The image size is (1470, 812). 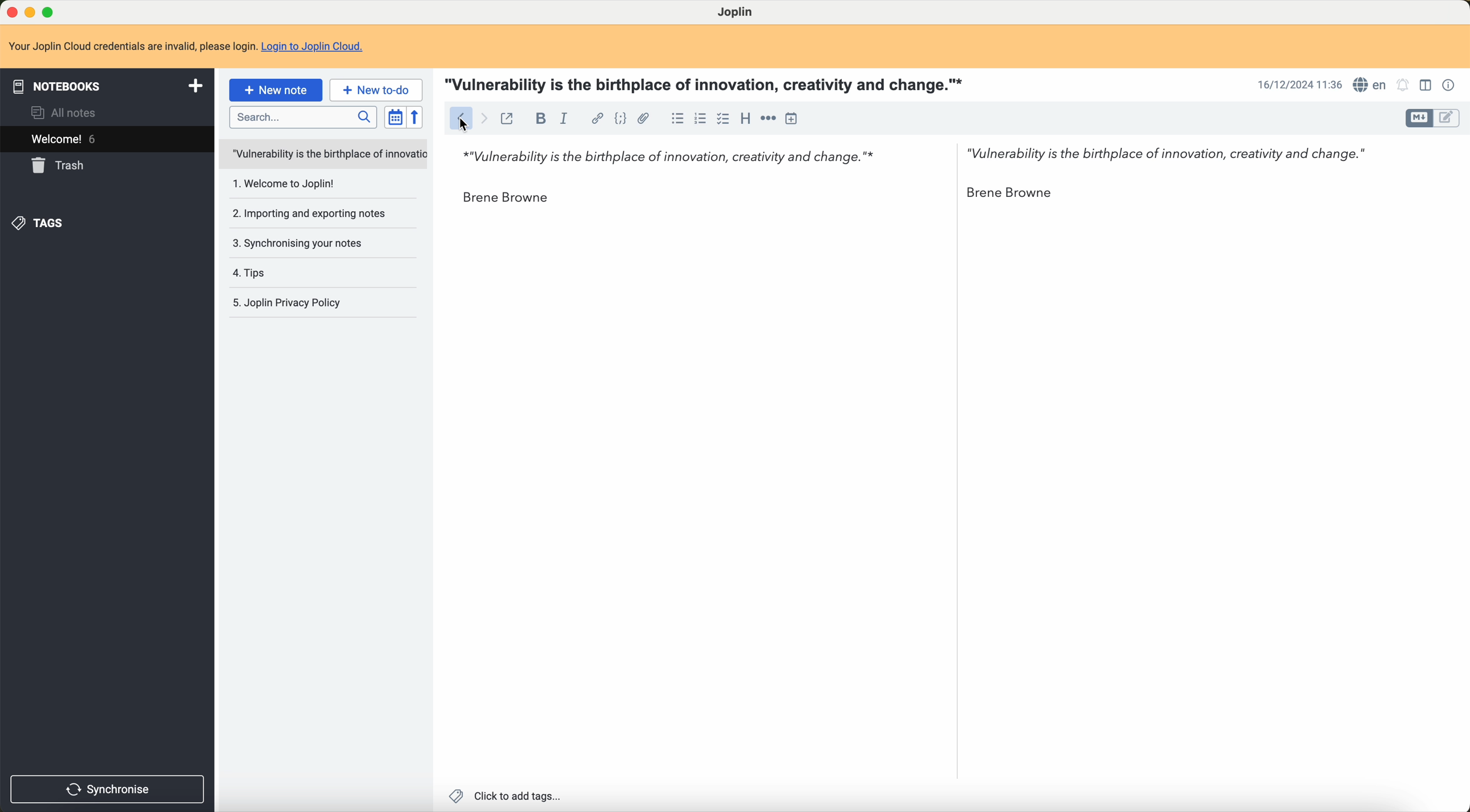 I want to click on new note, so click(x=276, y=91).